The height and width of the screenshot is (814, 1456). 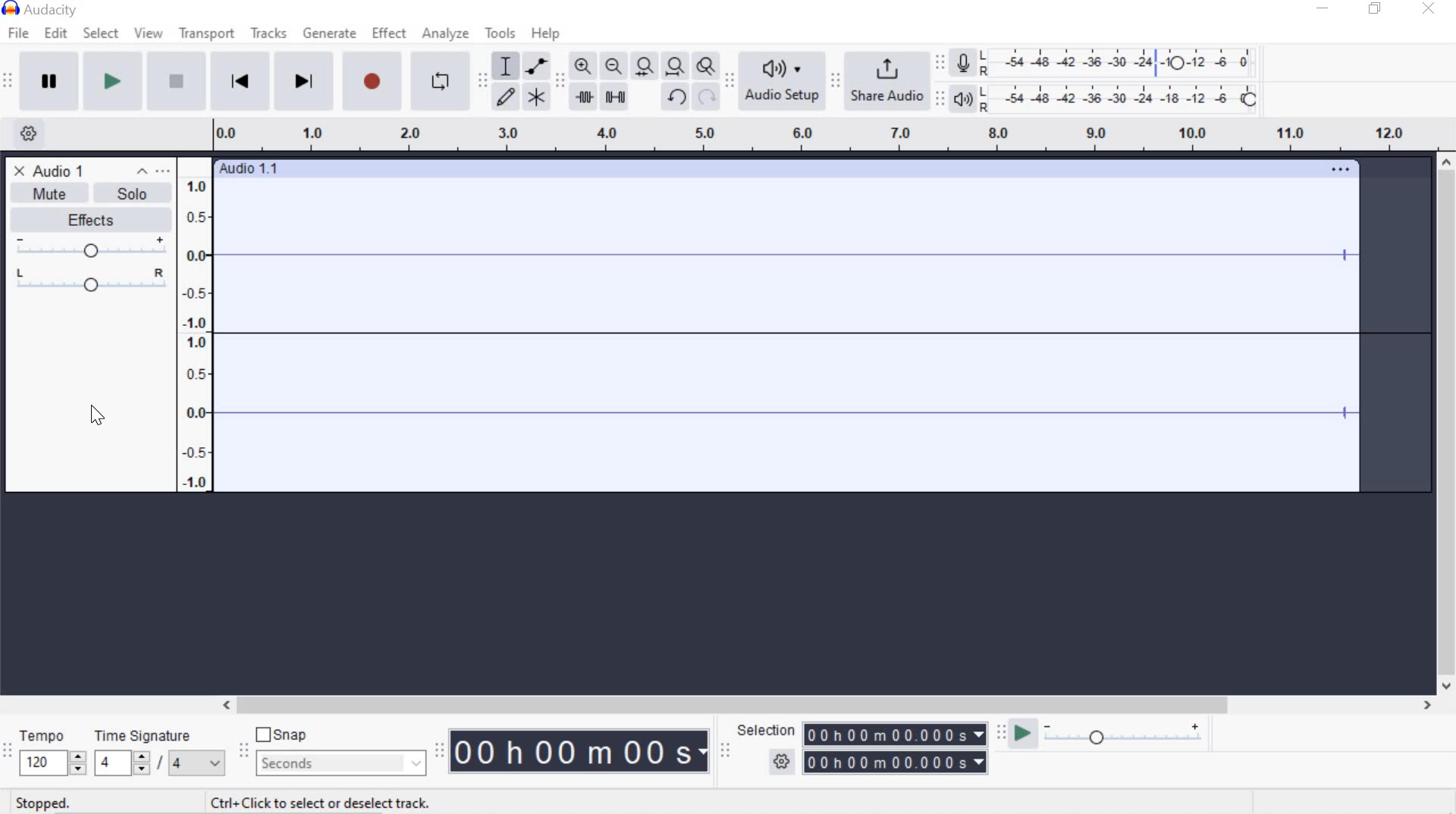 What do you see at coordinates (446, 33) in the screenshot?
I see `analyze` at bounding box center [446, 33].